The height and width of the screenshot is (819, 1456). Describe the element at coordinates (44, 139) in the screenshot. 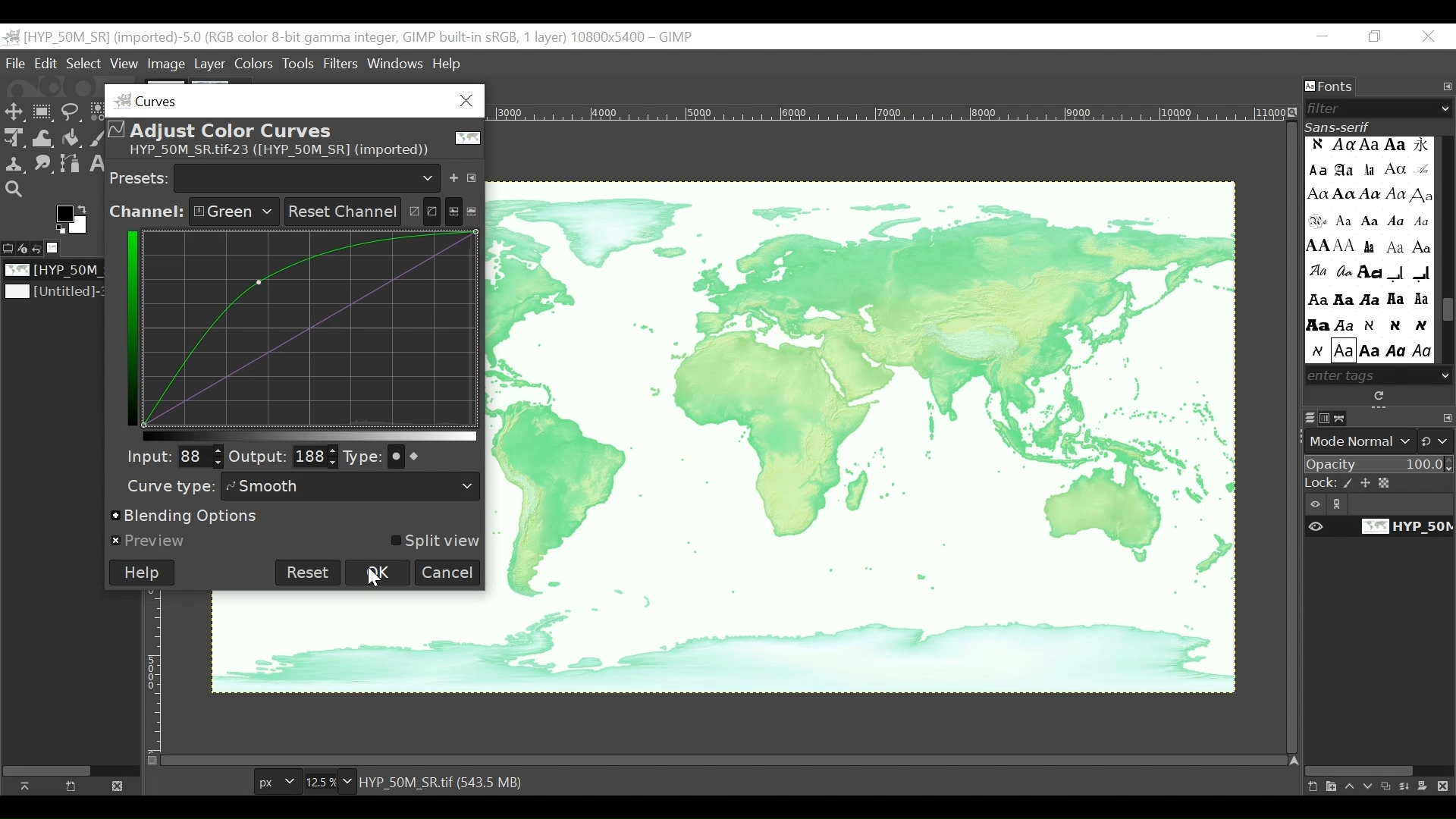

I see `Warp Transform` at that location.